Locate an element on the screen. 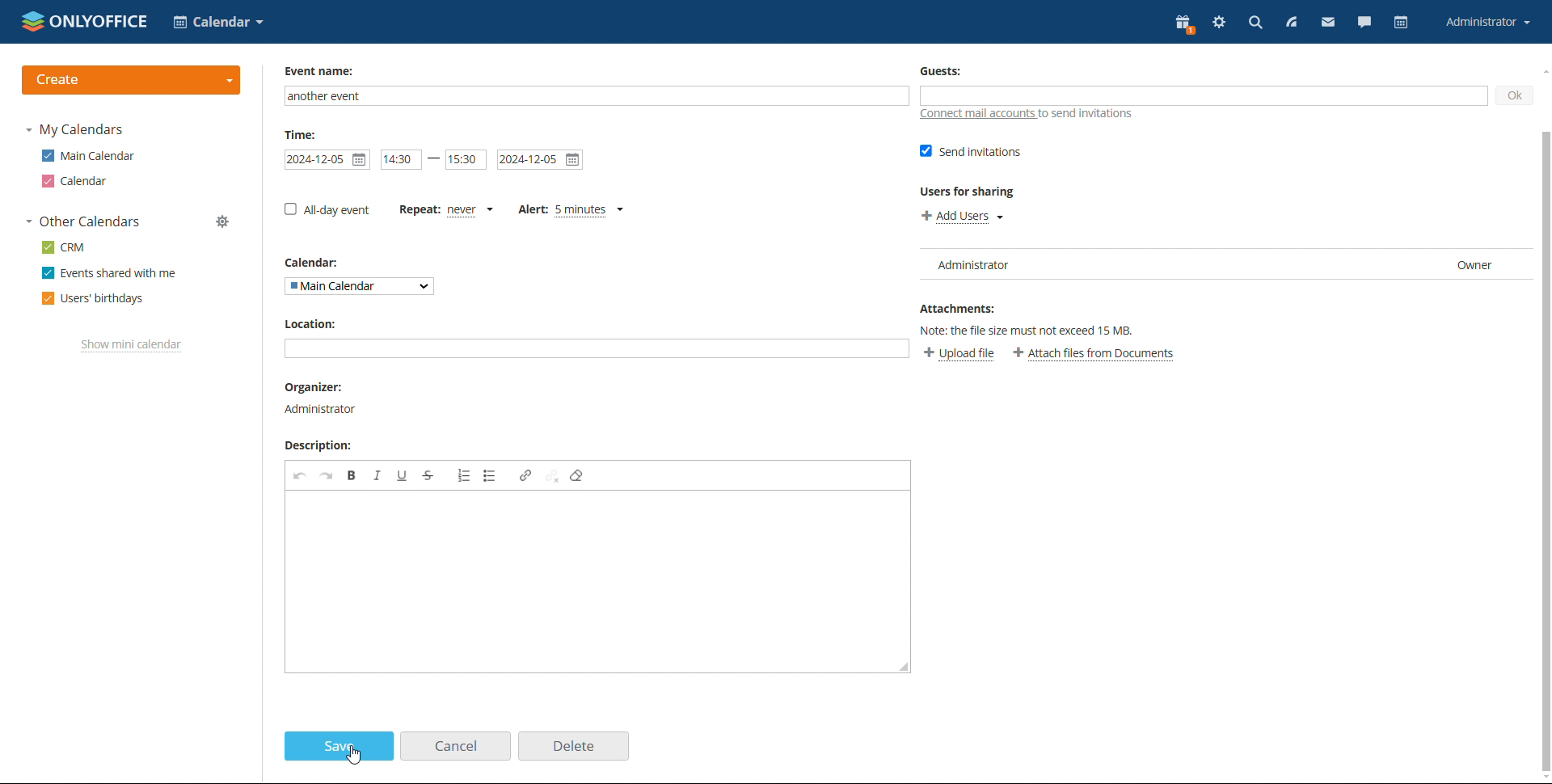 The width and height of the screenshot is (1552, 784). users' birthdays is located at coordinates (93, 299).